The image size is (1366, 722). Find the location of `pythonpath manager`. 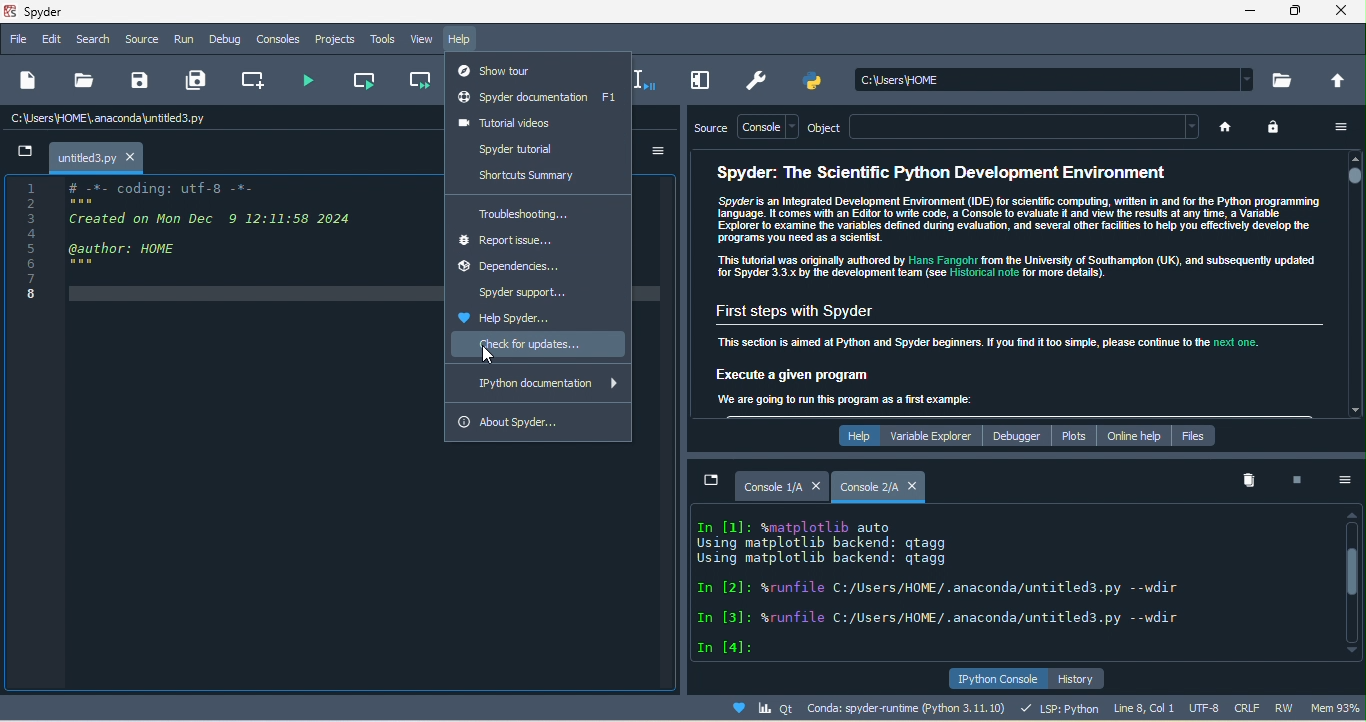

pythonpath manager is located at coordinates (816, 83).